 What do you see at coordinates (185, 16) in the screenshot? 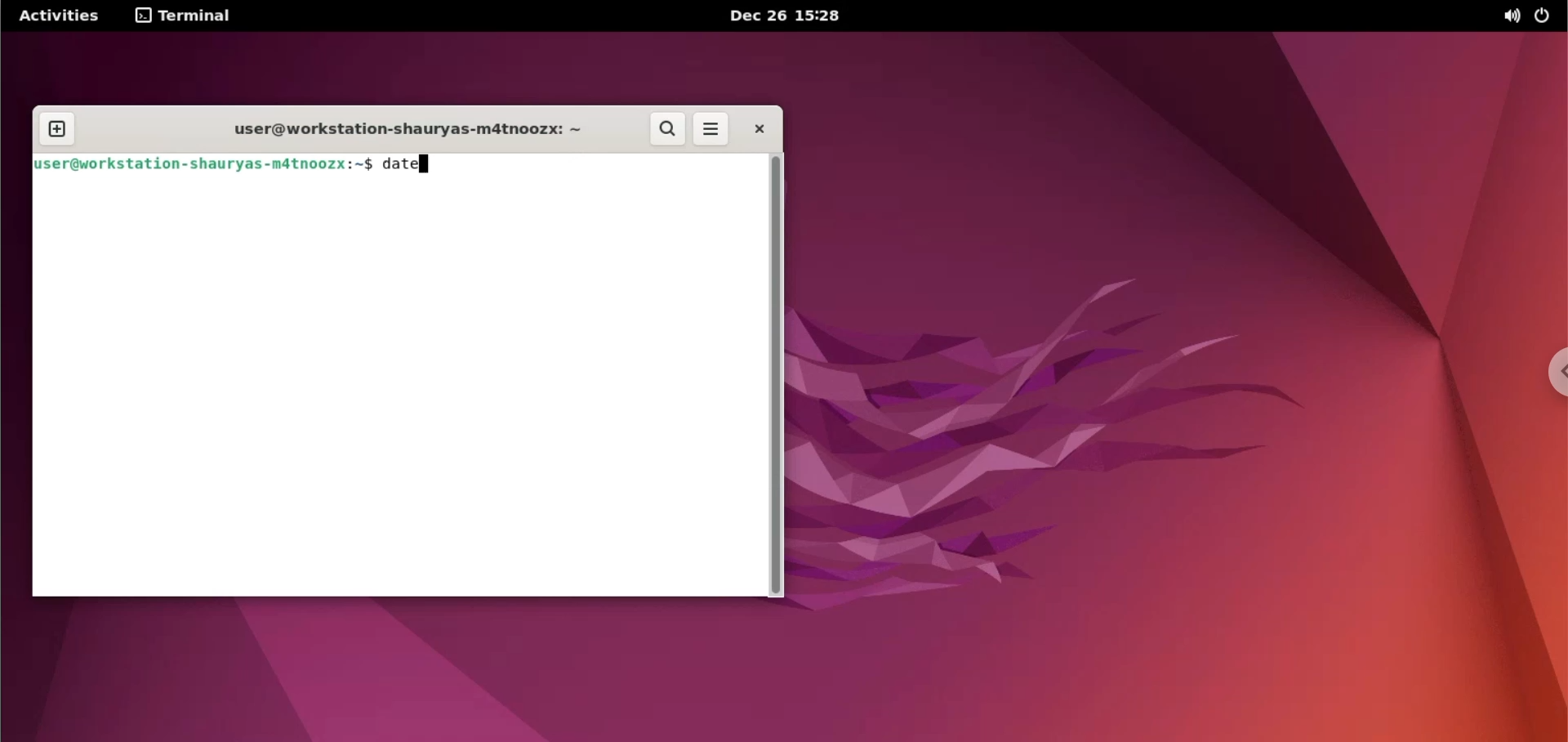
I see `terminal options` at bounding box center [185, 16].